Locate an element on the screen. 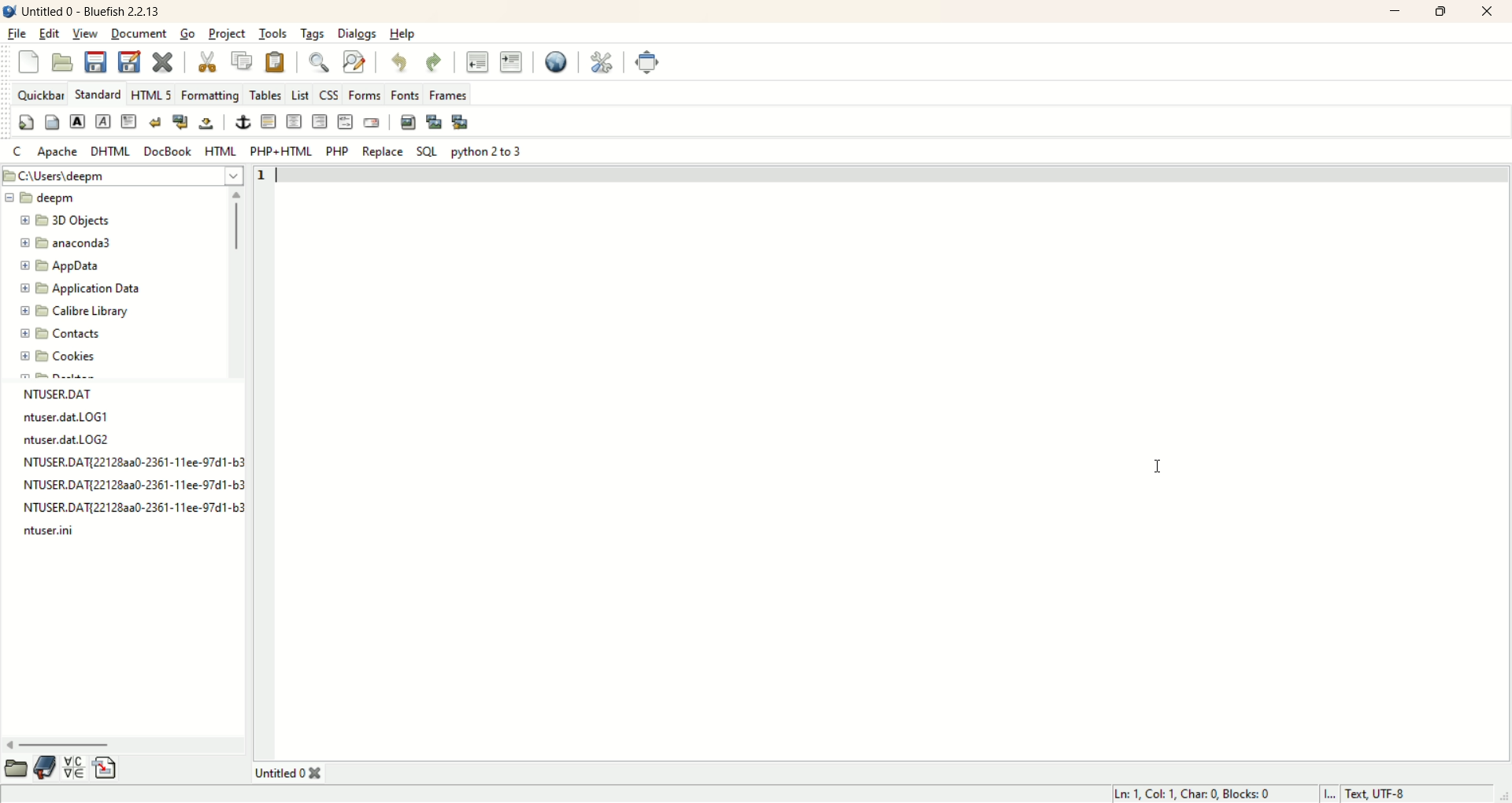  PHP is located at coordinates (337, 151).